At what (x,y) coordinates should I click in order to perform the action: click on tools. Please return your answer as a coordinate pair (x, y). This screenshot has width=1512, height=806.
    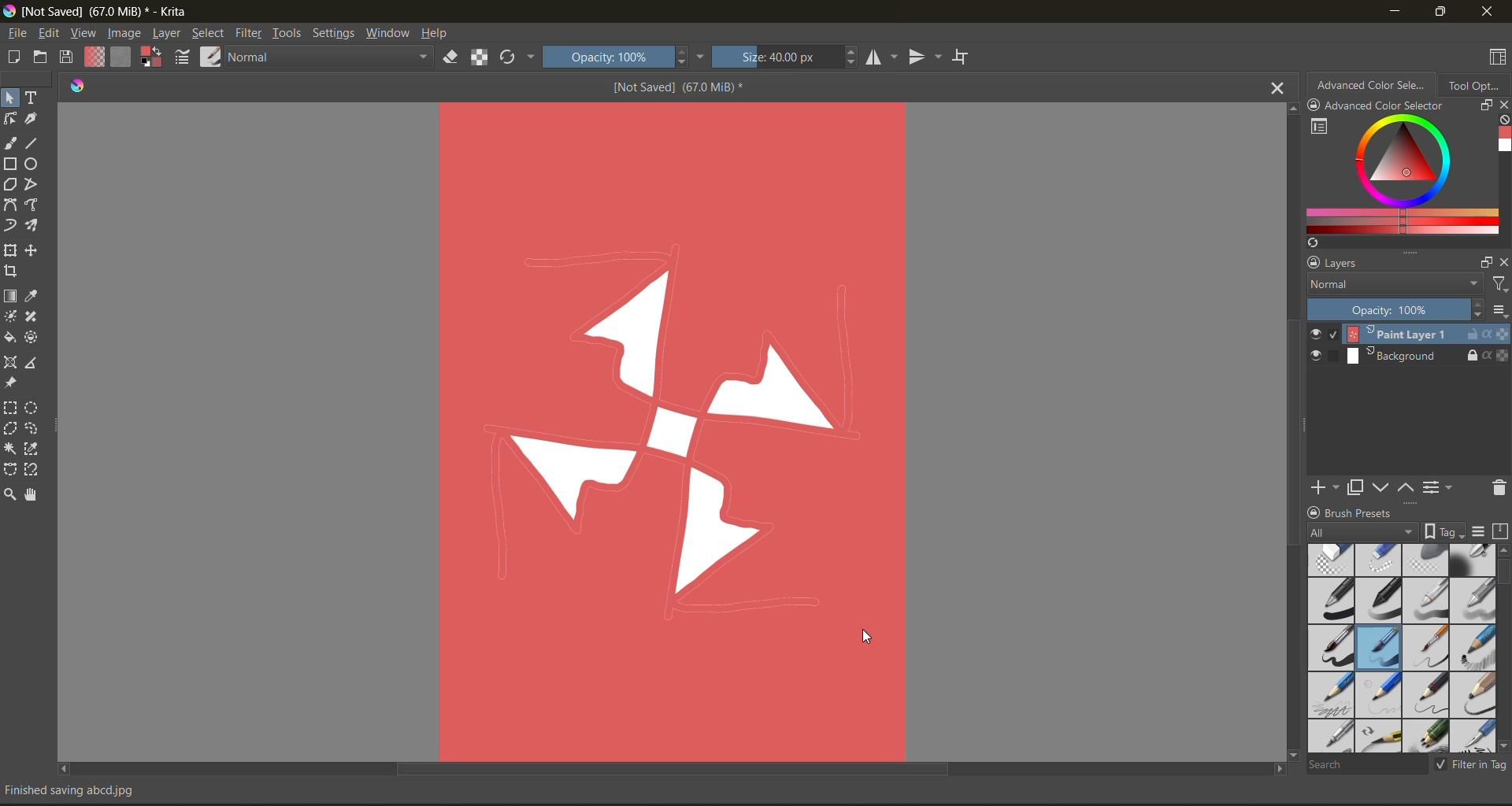
    Looking at the image, I should click on (11, 338).